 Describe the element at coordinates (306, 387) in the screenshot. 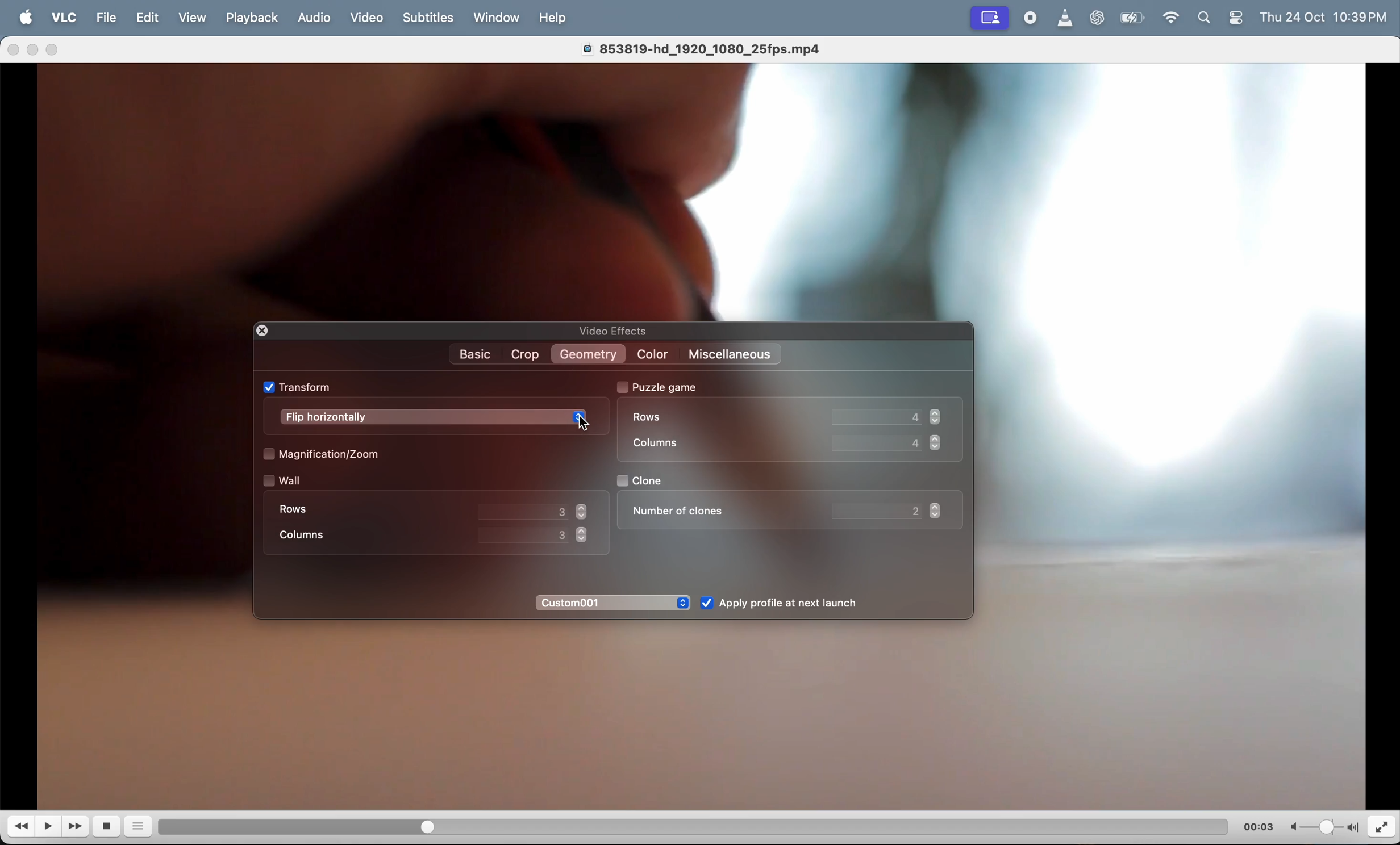

I see `transform` at that location.